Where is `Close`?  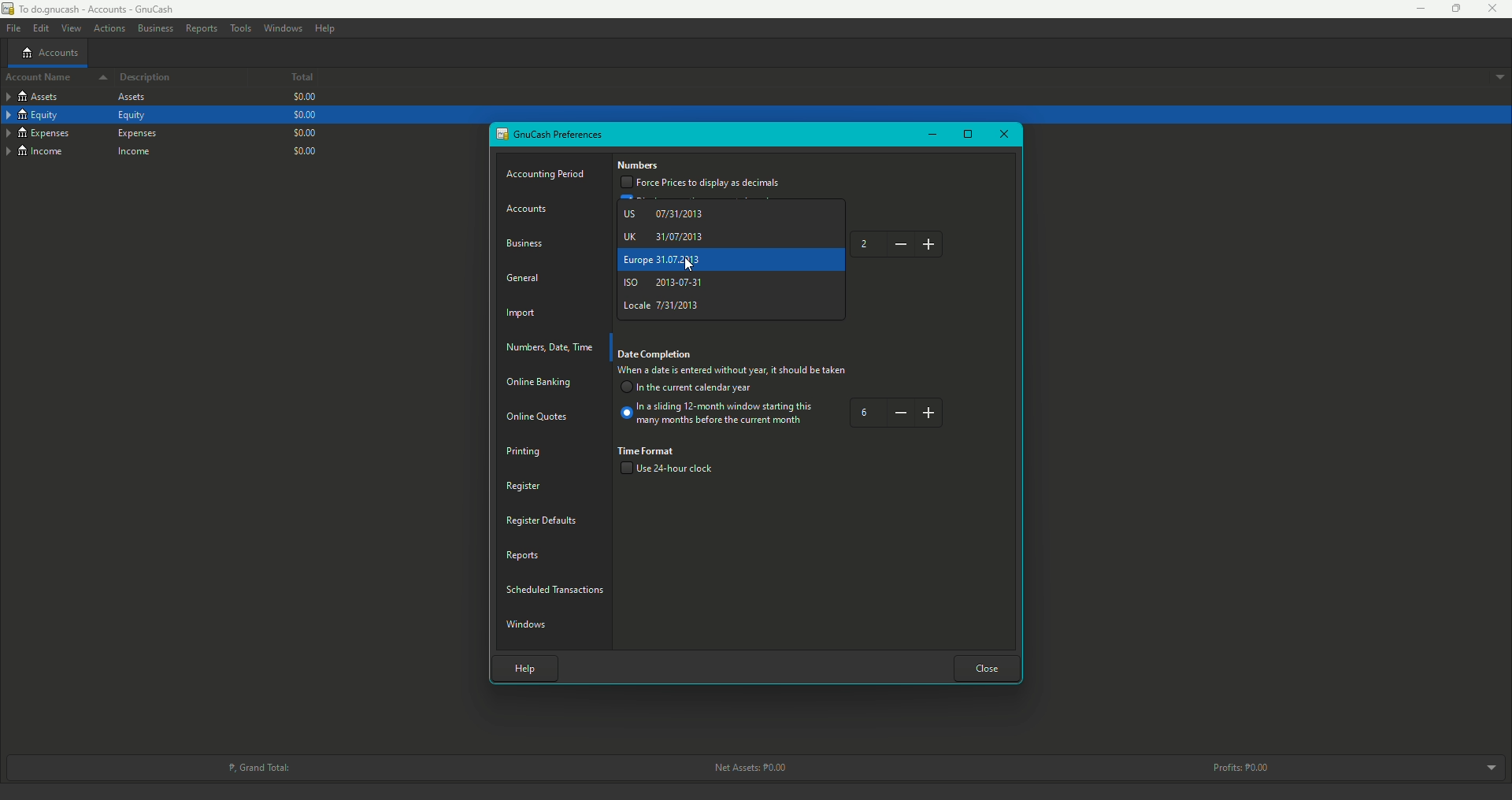 Close is located at coordinates (988, 667).